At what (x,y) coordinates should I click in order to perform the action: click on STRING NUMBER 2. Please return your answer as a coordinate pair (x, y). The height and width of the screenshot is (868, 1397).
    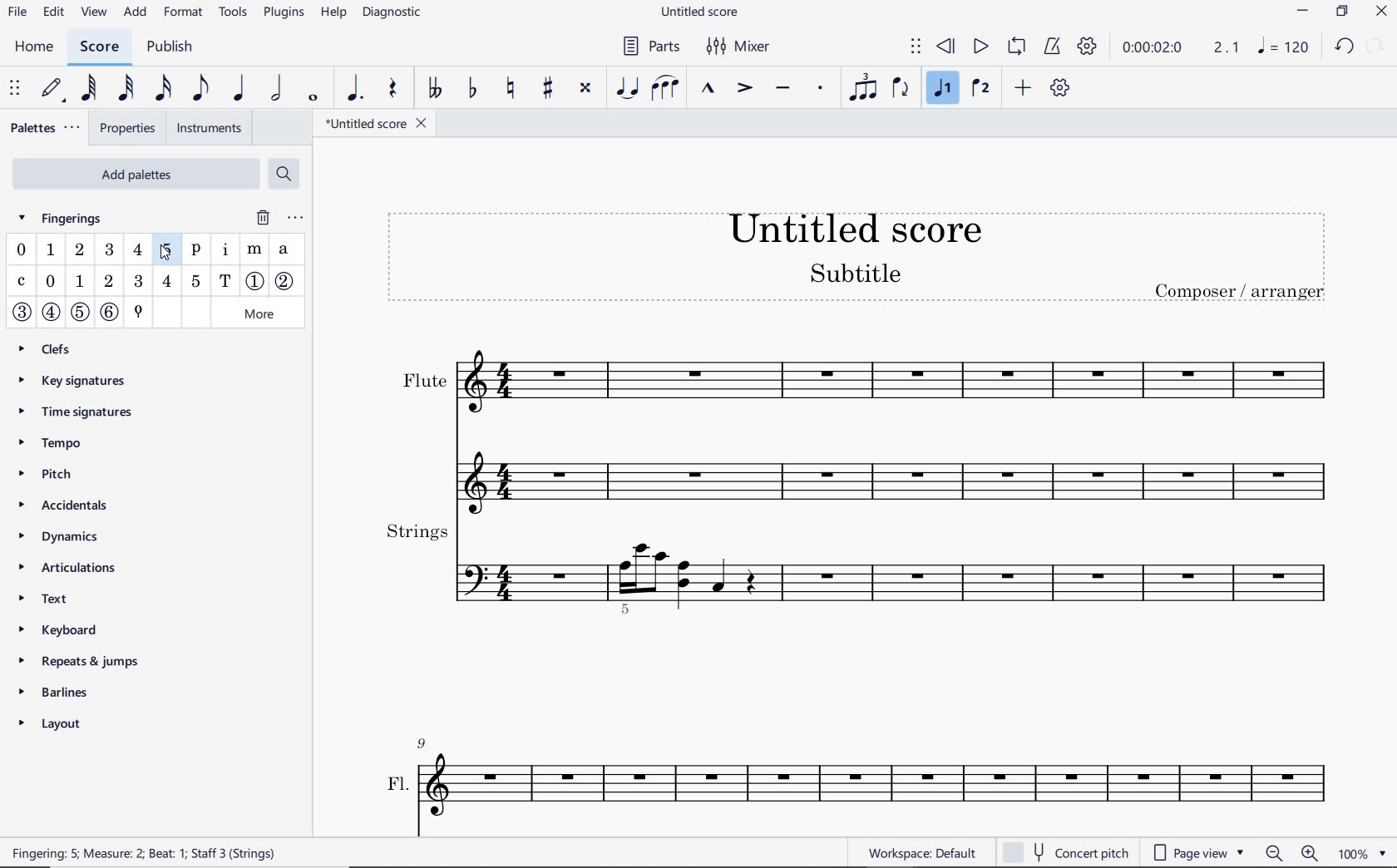
    Looking at the image, I should click on (288, 282).